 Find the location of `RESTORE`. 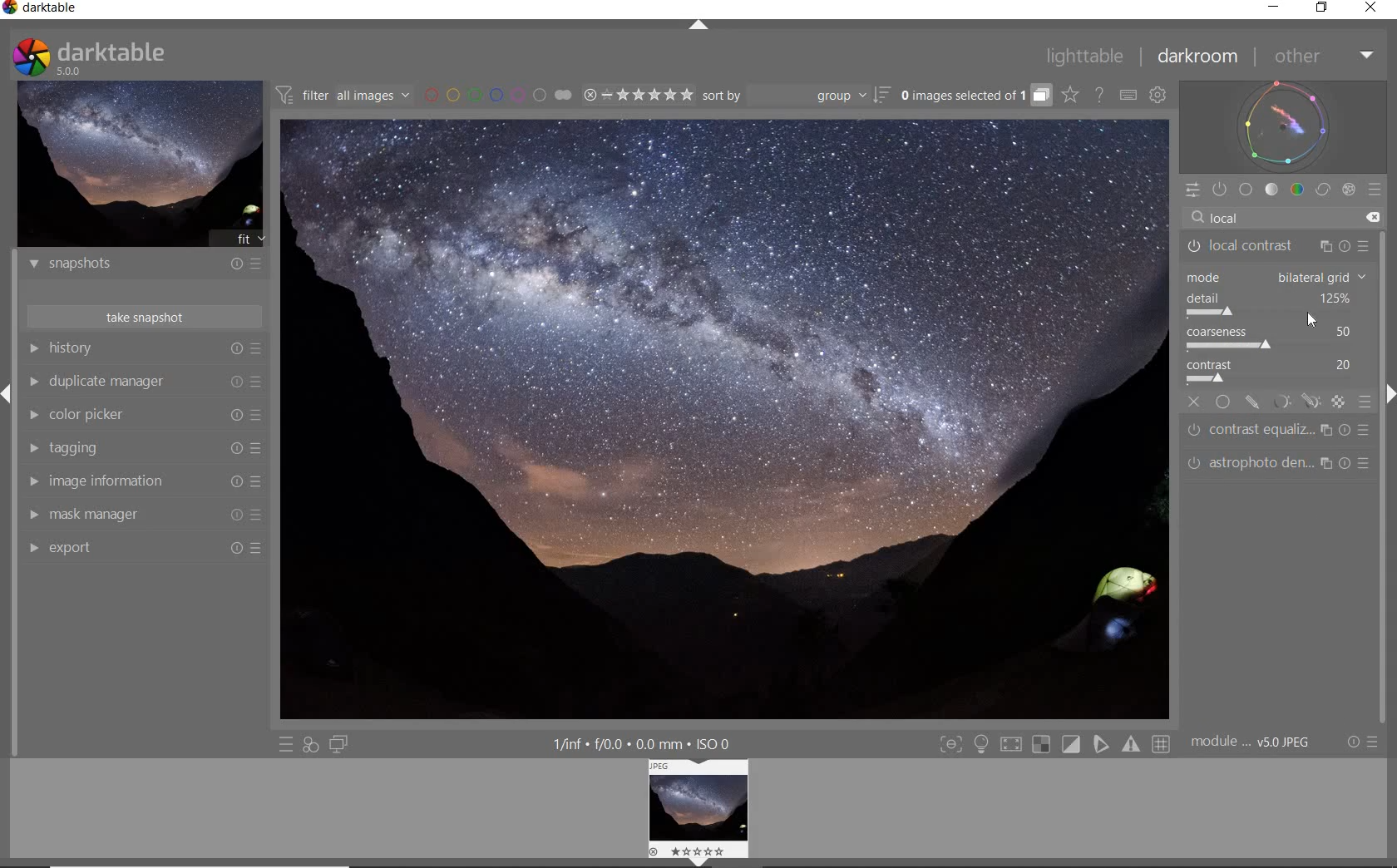

RESTORE is located at coordinates (1323, 8).